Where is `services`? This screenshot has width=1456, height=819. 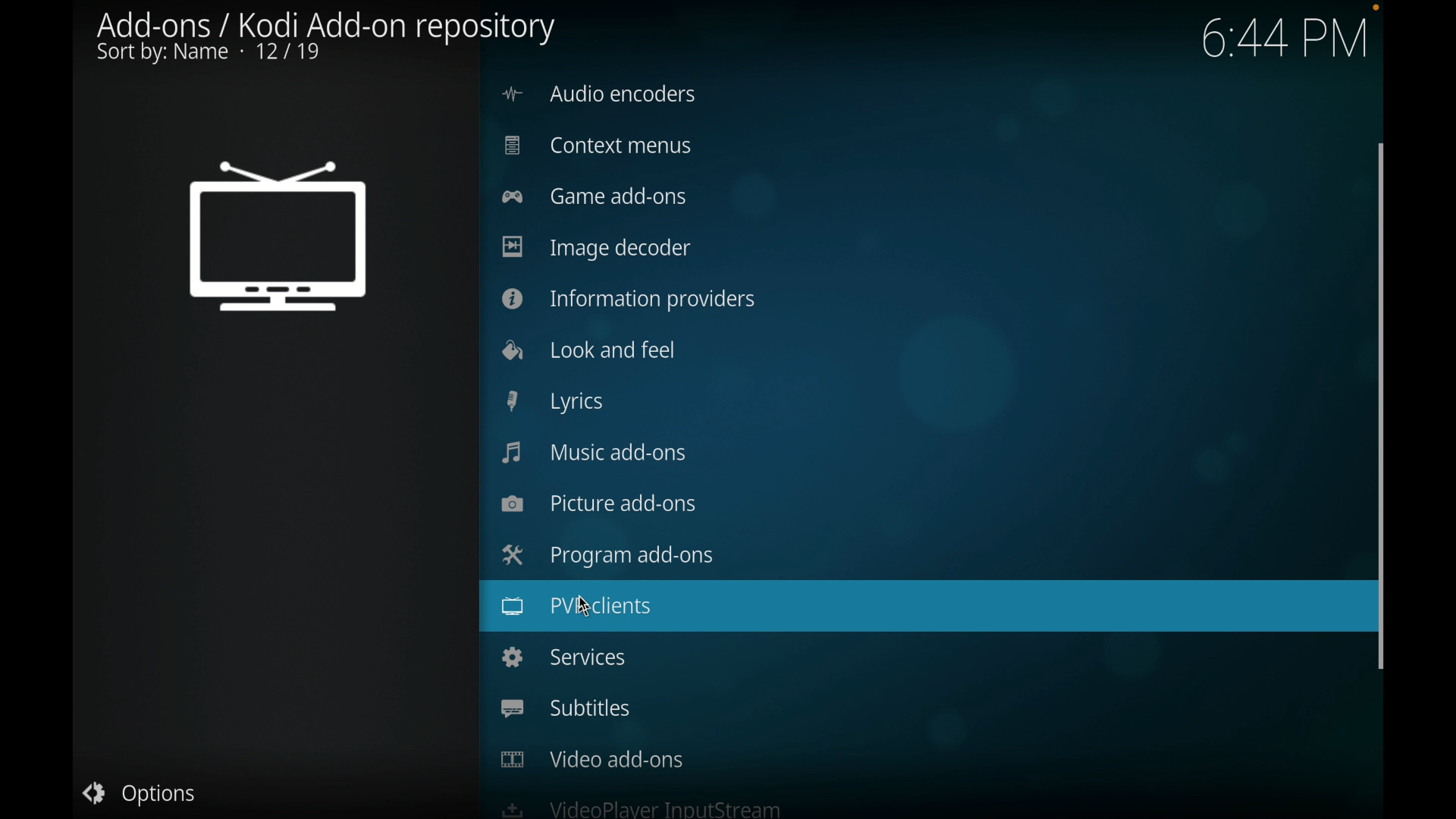
services is located at coordinates (563, 657).